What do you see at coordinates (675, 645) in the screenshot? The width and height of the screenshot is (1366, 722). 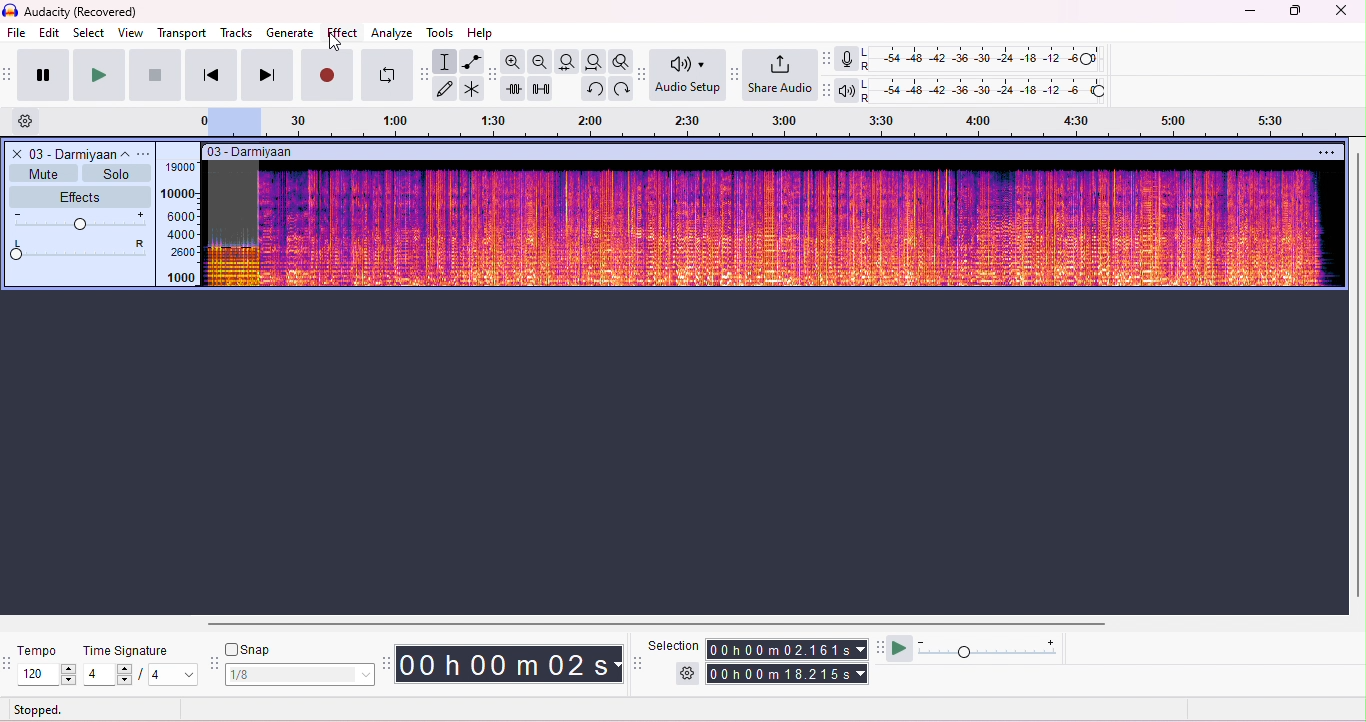 I see `selection` at bounding box center [675, 645].